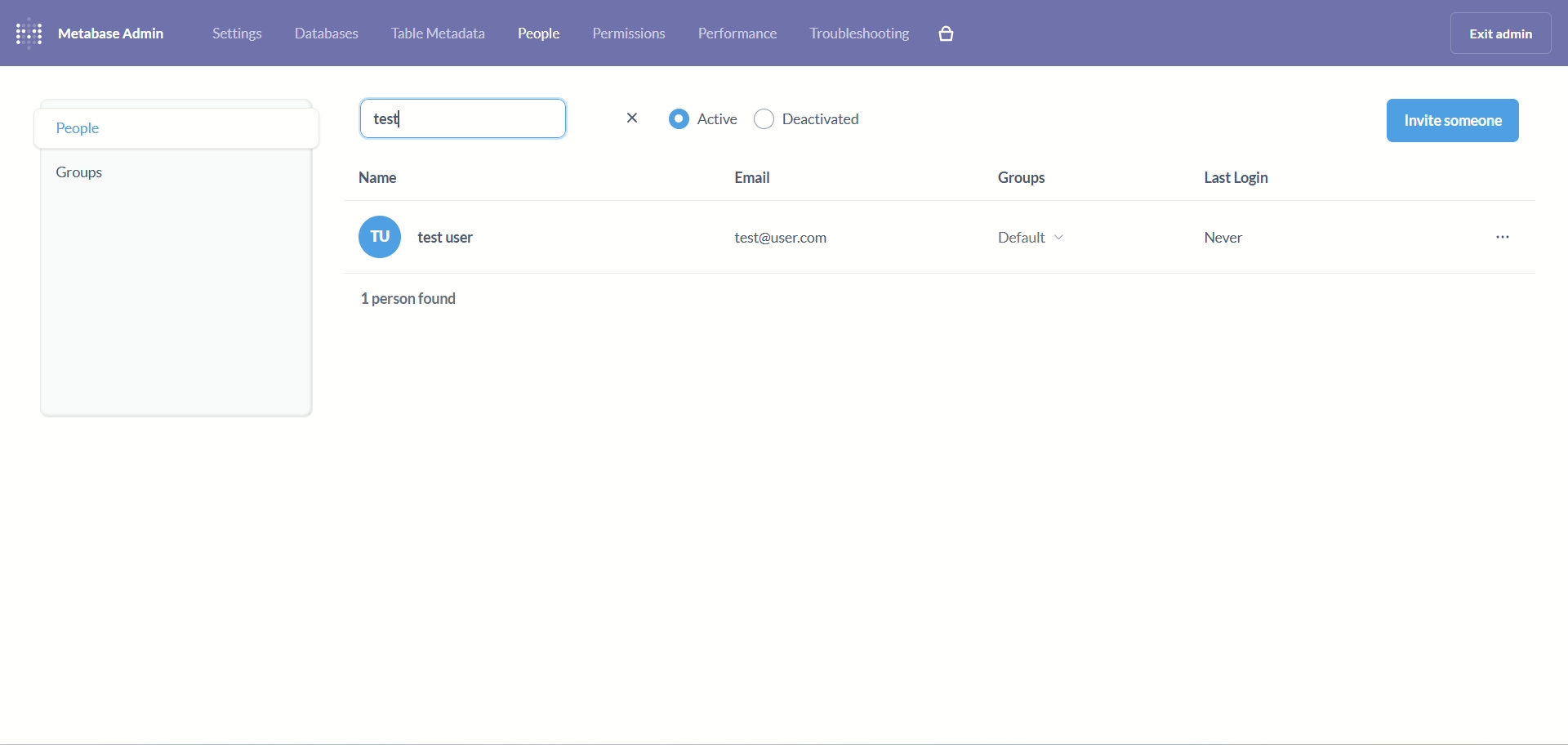 The image size is (1568, 745). What do you see at coordinates (176, 129) in the screenshot?
I see `People` at bounding box center [176, 129].